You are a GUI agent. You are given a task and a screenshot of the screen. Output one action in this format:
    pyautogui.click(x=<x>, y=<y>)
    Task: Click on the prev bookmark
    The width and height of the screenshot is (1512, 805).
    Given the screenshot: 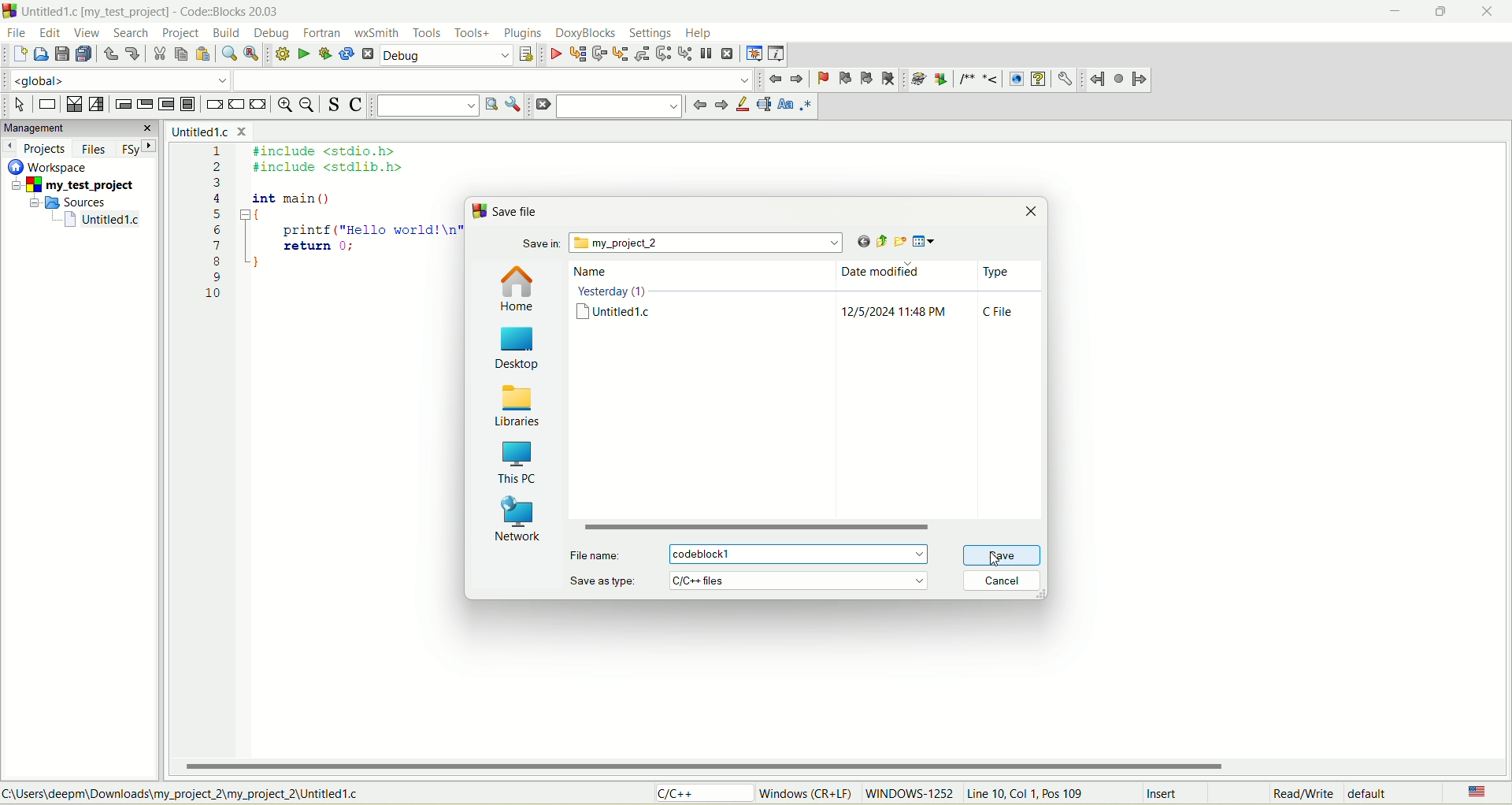 What is the action you would take?
    pyautogui.click(x=842, y=77)
    